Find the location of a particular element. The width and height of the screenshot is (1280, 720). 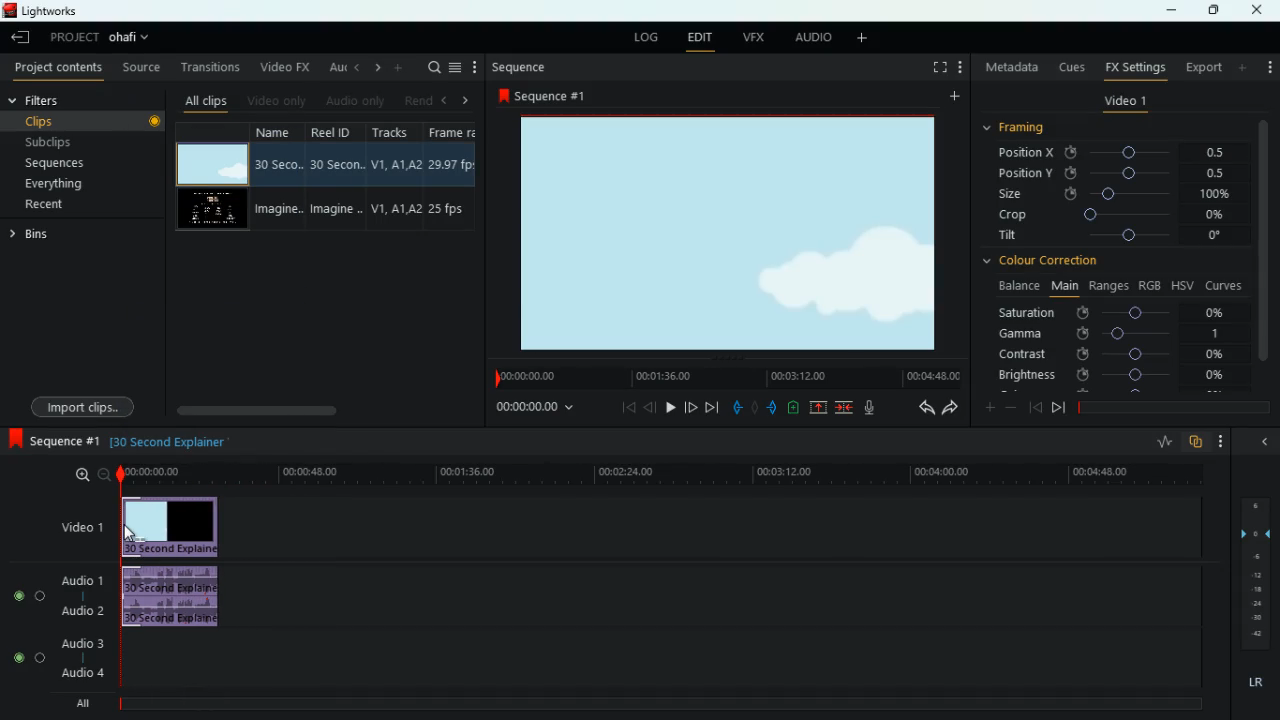

transitions is located at coordinates (208, 66).